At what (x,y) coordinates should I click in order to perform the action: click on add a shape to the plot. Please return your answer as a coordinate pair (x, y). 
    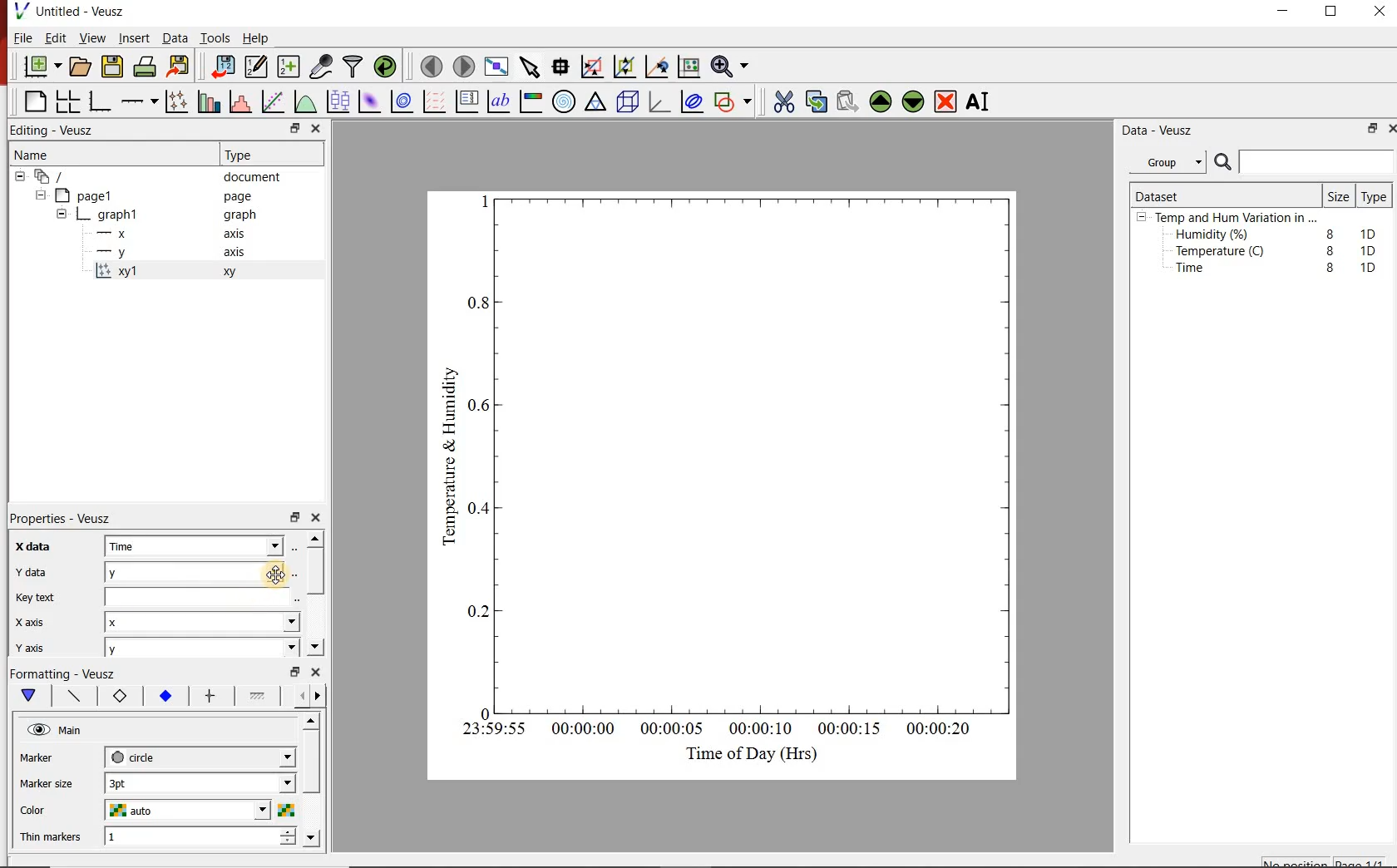
    Looking at the image, I should click on (737, 104).